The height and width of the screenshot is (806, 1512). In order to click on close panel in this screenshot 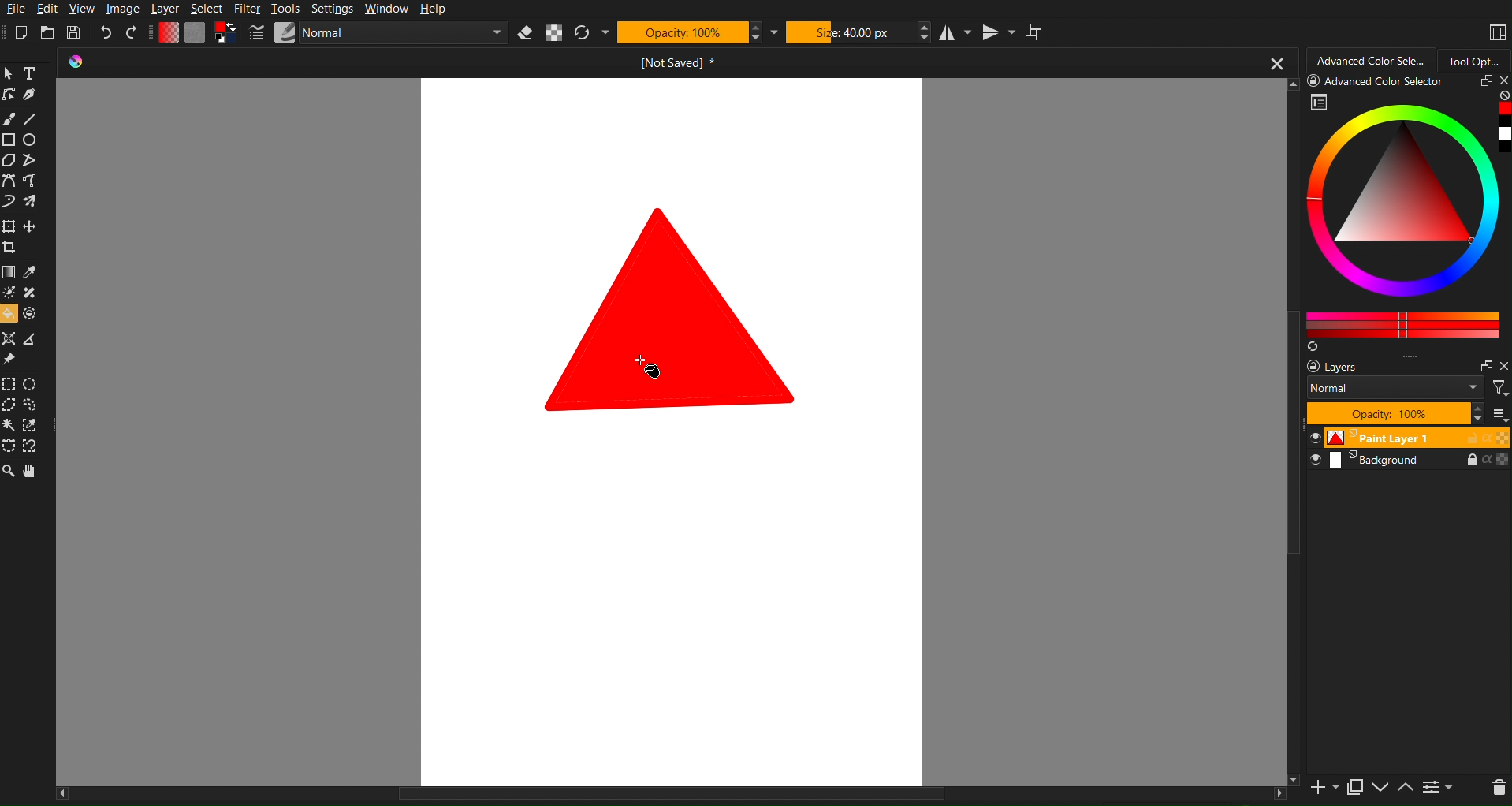, I will do `click(1502, 82)`.